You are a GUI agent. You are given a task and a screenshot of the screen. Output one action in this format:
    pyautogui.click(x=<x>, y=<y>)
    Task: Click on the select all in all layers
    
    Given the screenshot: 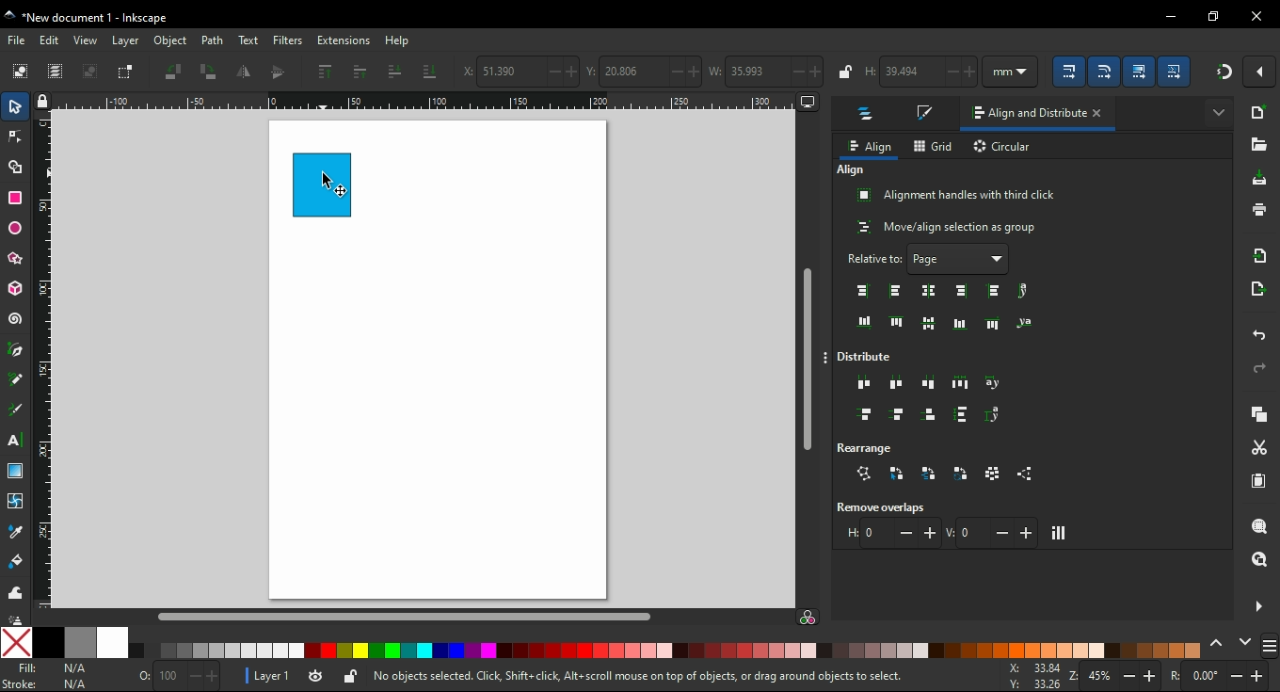 What is the action you would take?
    pyautogui.click(x=56, y=71)
    